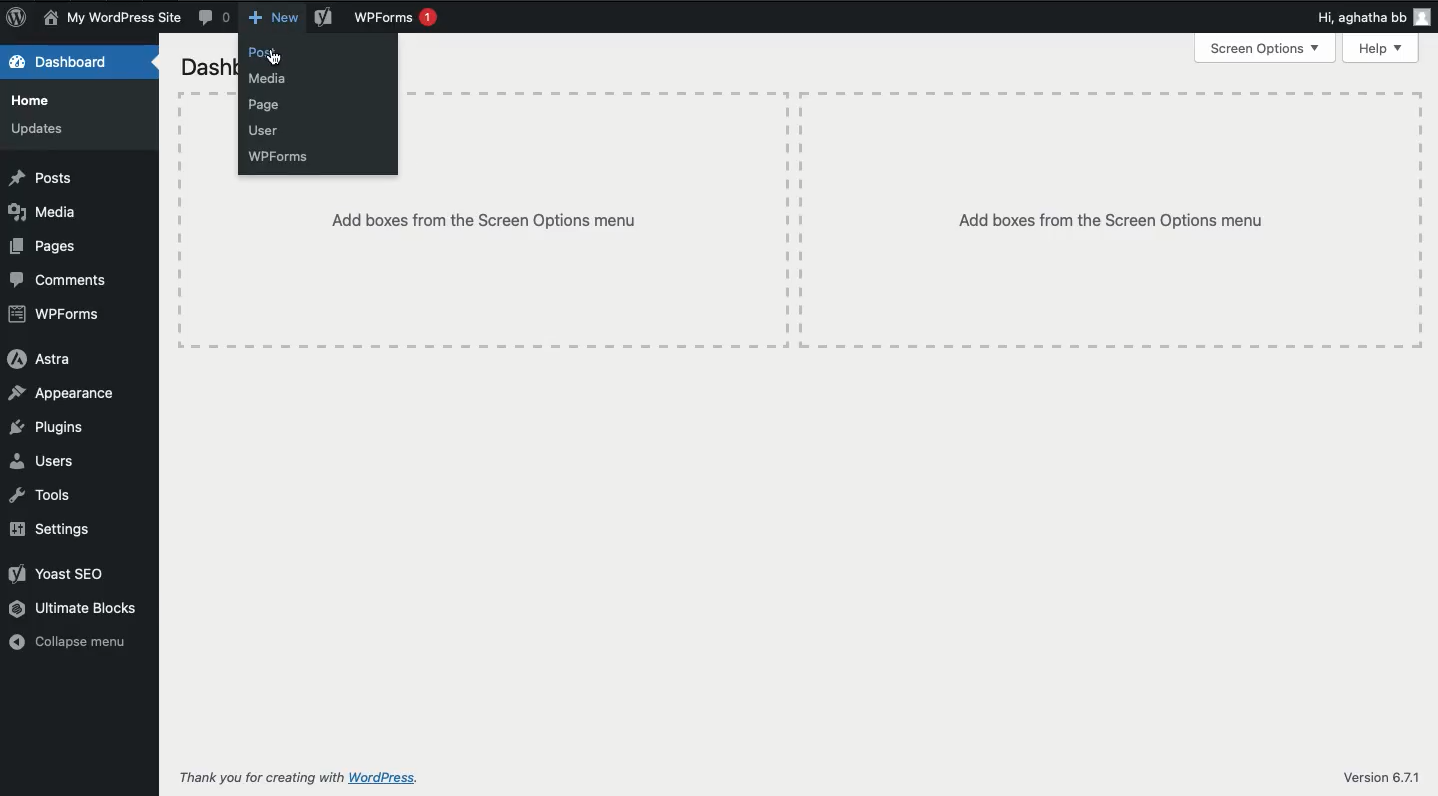  What do you see at coordinates (277, 79) in the screenshot?
I see `Media` at bounding box center [277, 79].